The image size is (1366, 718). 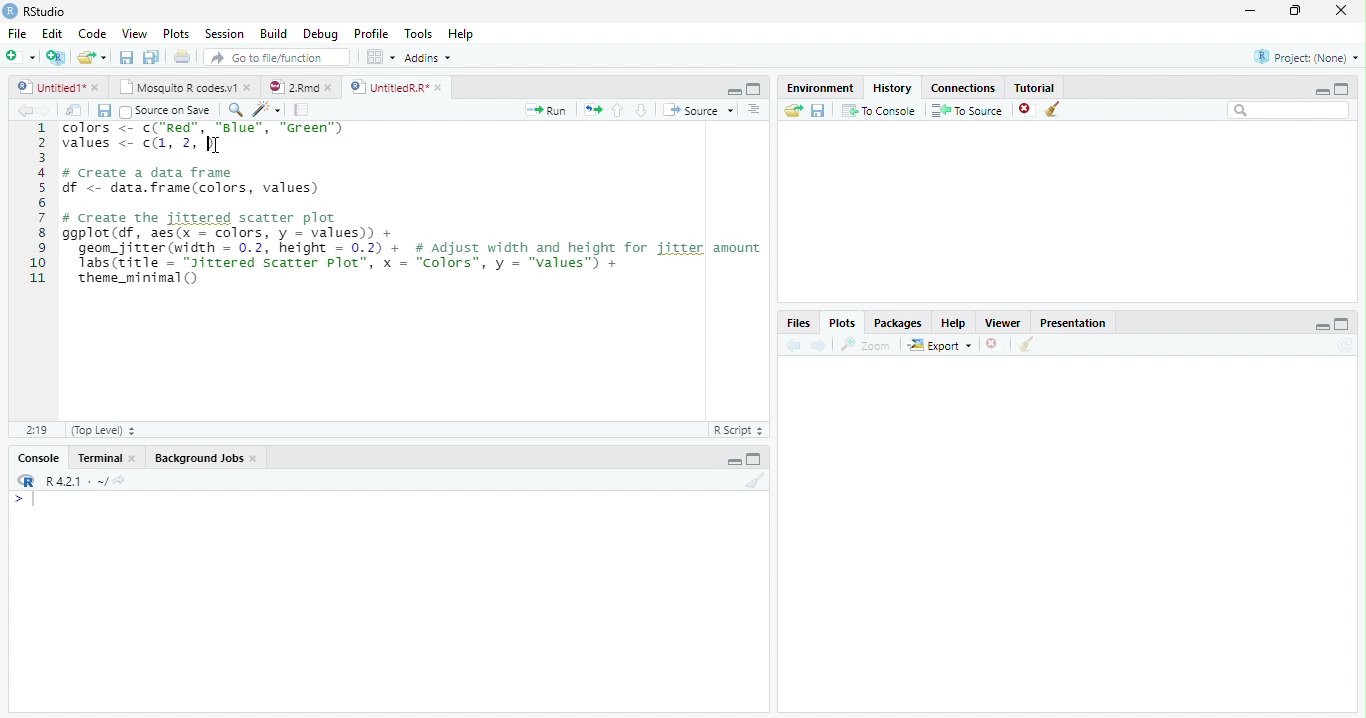 I want to click on 1:1, so click(x=36, y=430).